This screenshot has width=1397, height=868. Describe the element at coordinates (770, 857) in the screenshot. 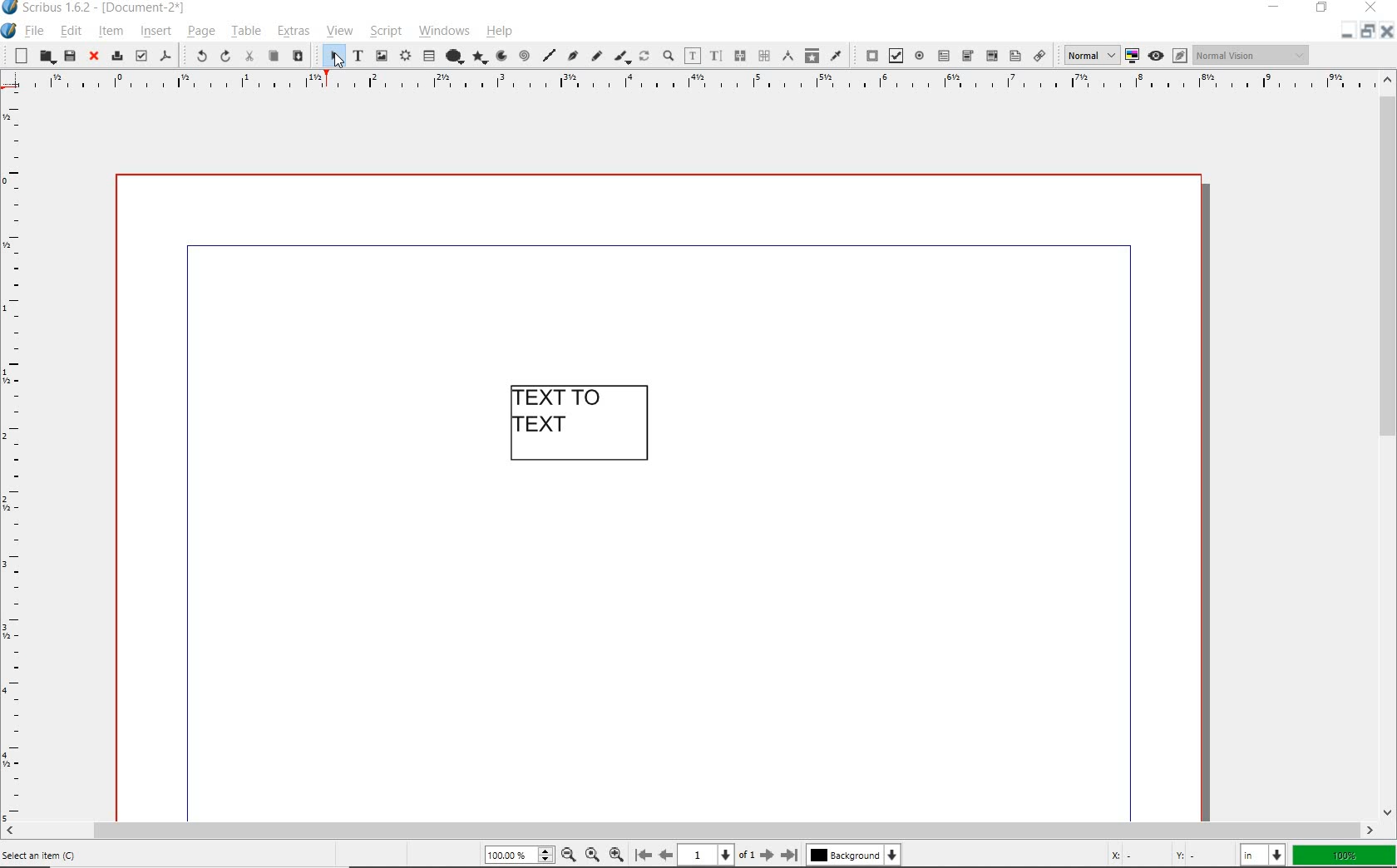

I see `move to next` at that location.